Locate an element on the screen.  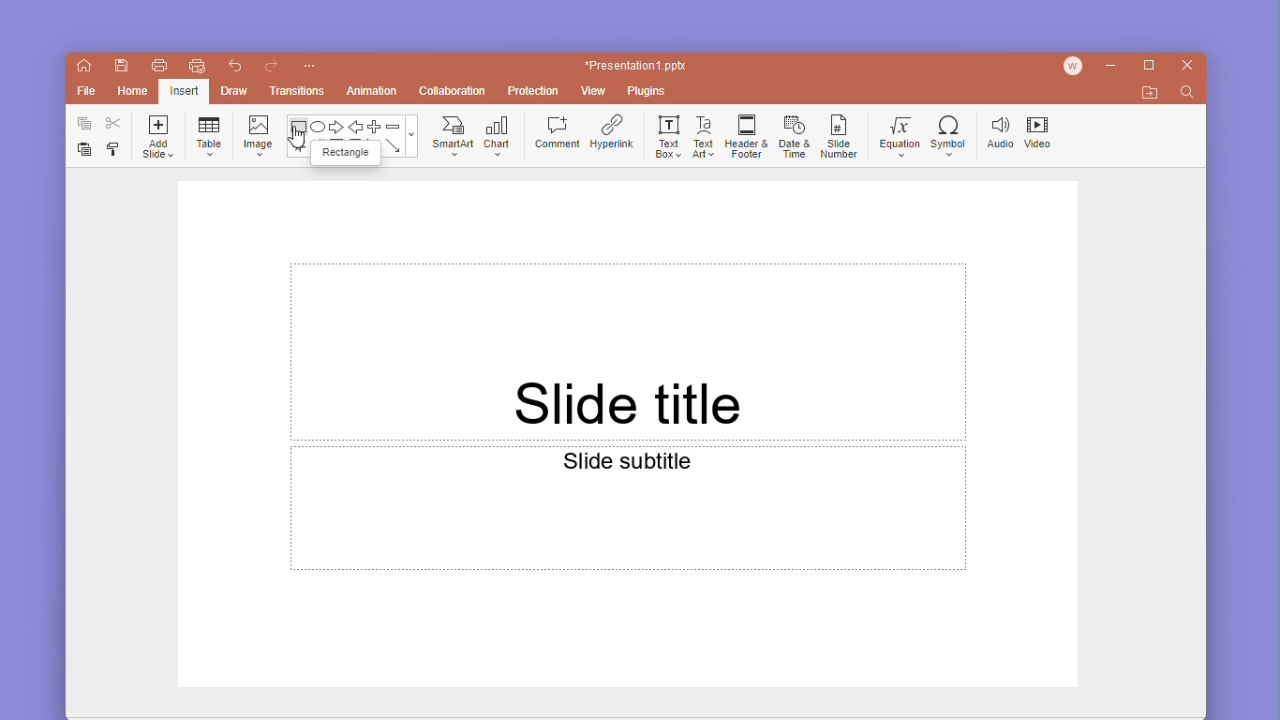
slide Title text is located at coordinates (626, 352).